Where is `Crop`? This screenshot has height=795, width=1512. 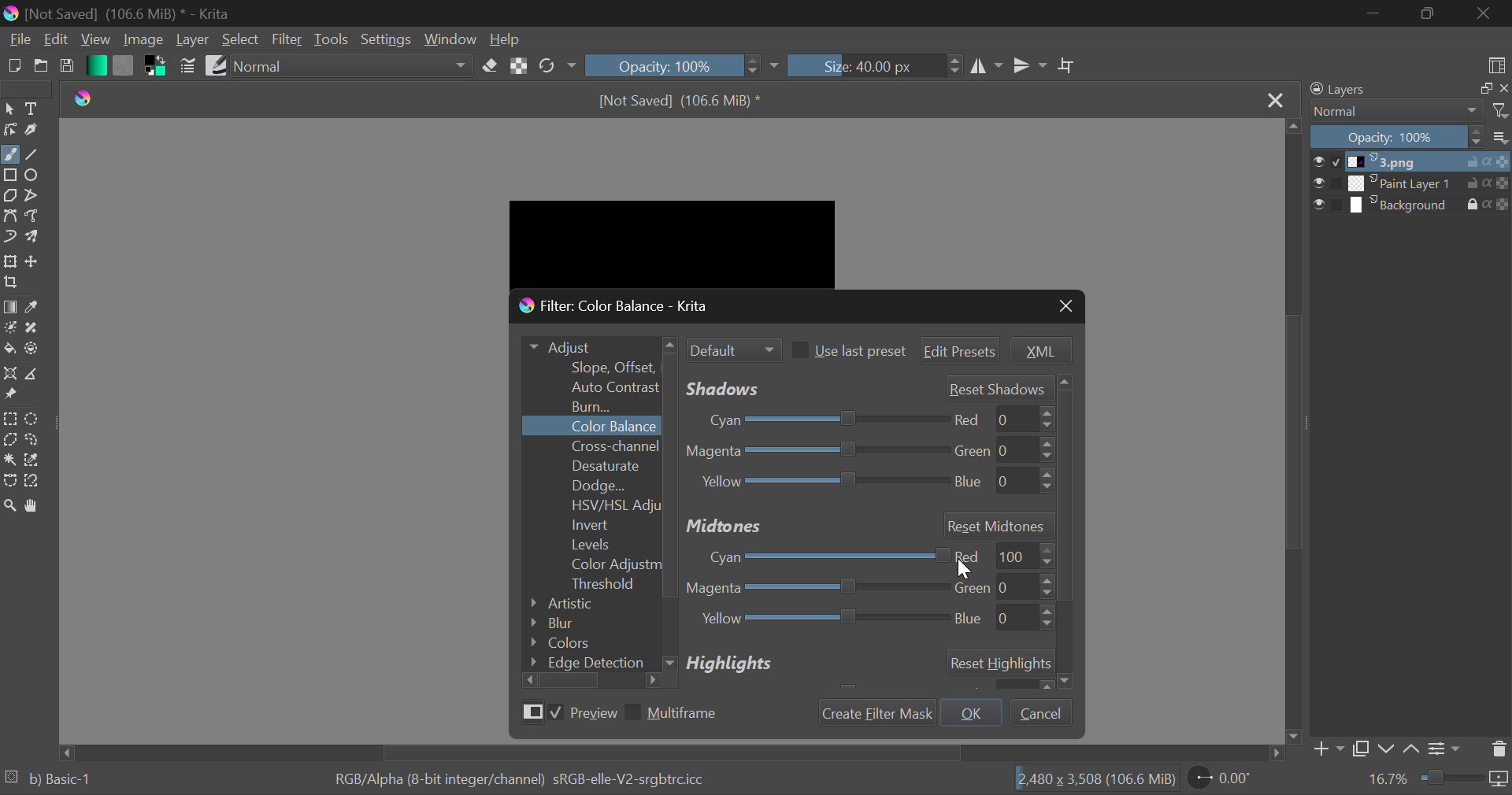 Crop is located at coordinates (1065, 65).